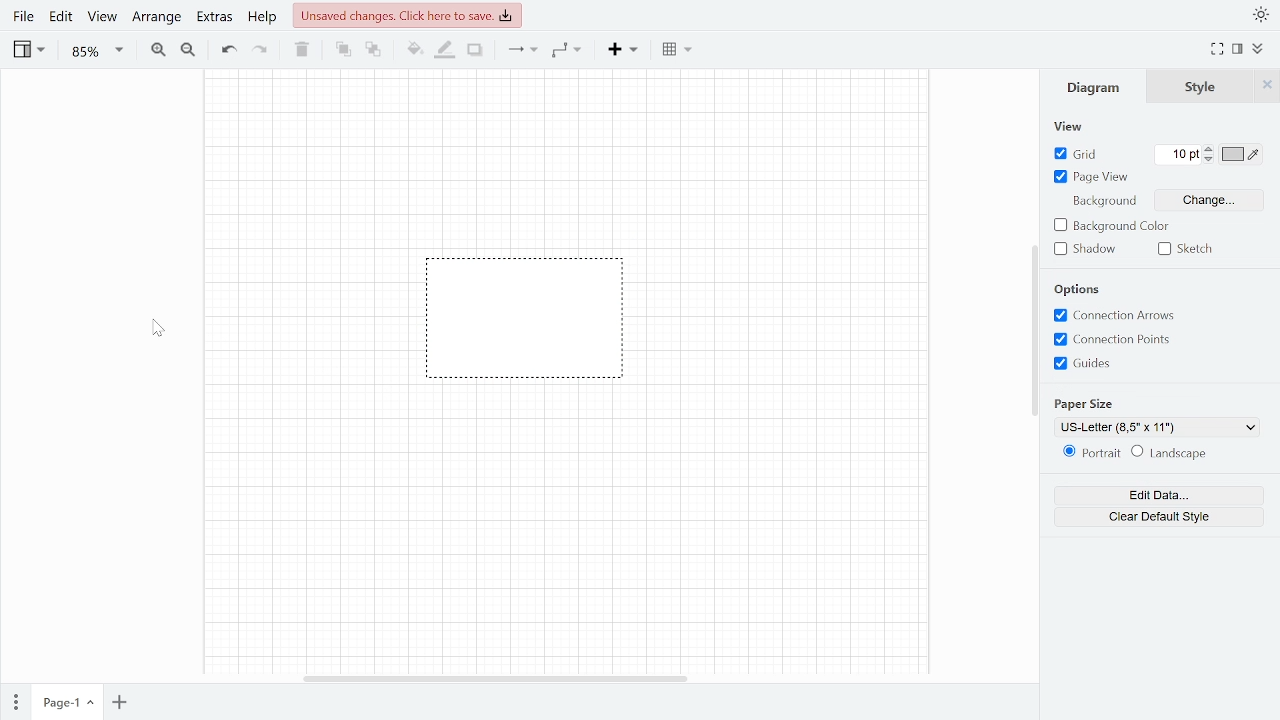 This screenshot has height=720, width=1280. I want to click on View, so click(102, 20).